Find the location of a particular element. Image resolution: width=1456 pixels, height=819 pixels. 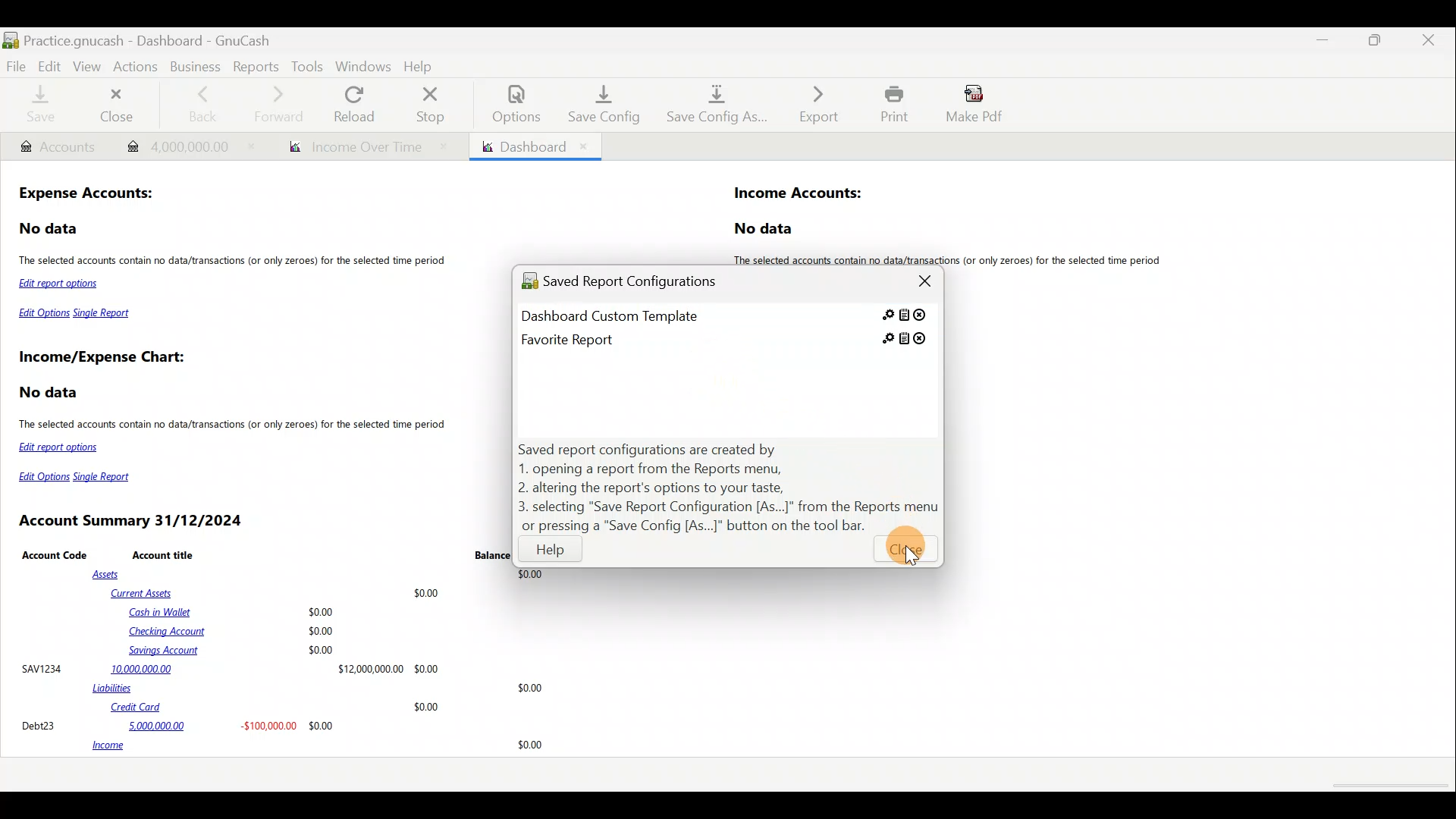

Ways saved report configurations are created is located at coordinates (730, 488).